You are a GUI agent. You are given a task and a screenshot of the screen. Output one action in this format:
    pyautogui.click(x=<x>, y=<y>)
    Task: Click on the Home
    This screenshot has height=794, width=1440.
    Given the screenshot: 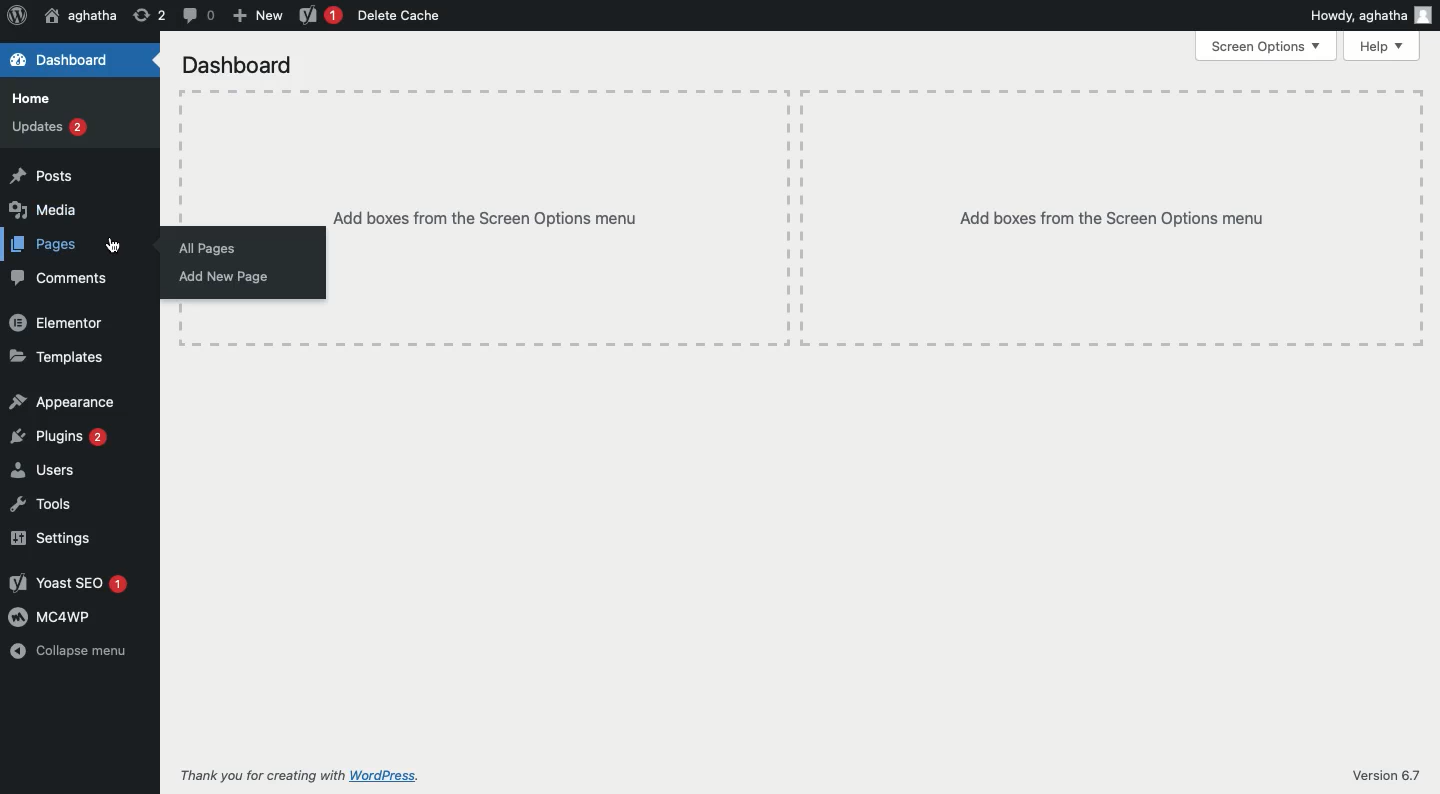 What is the action you would take?
    pyautogui.click(x=71, y=98)
    